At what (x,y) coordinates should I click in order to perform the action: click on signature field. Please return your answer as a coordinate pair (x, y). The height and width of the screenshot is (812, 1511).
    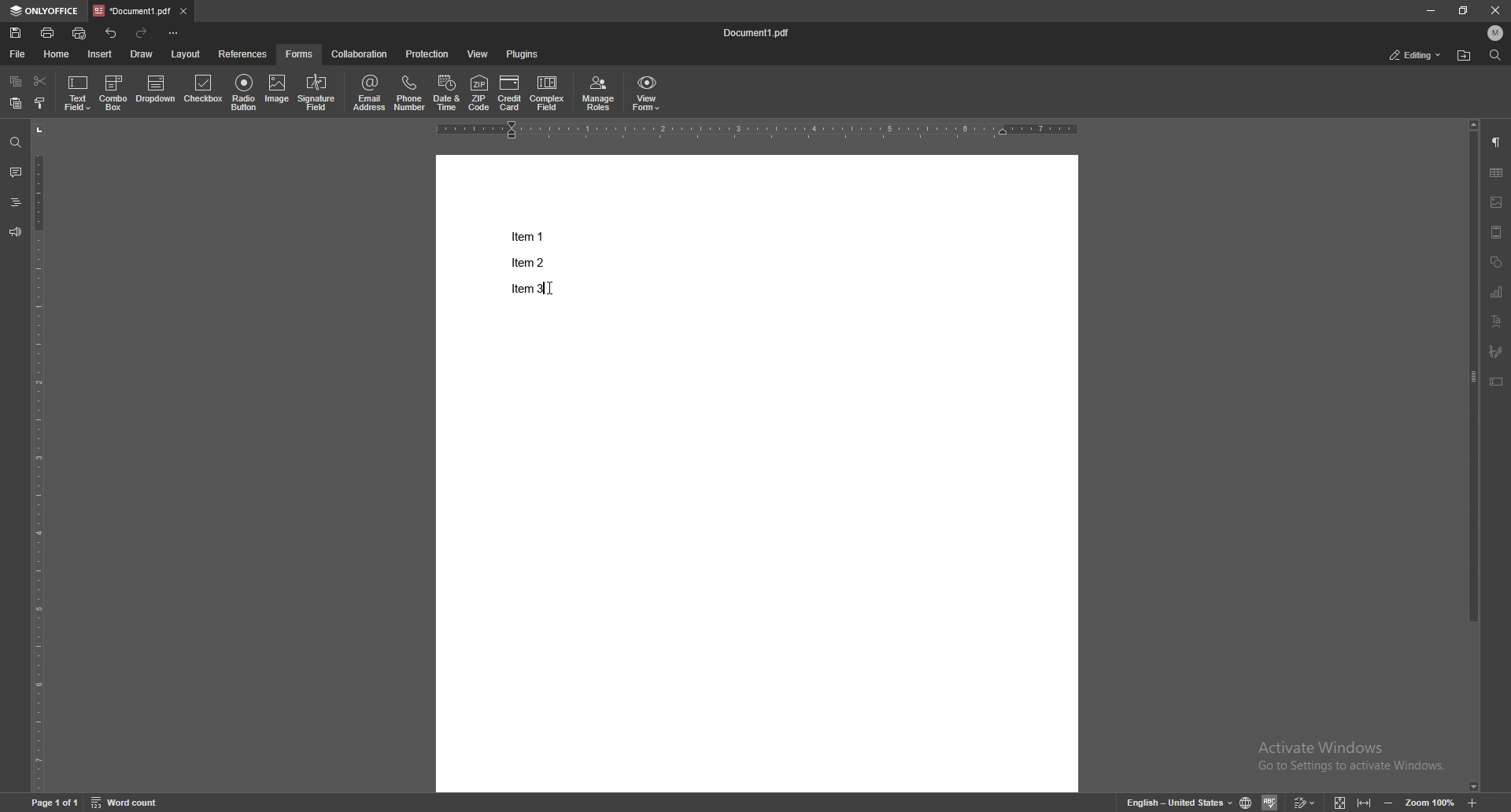
    Looking at the image, I should click on (1496, 351).